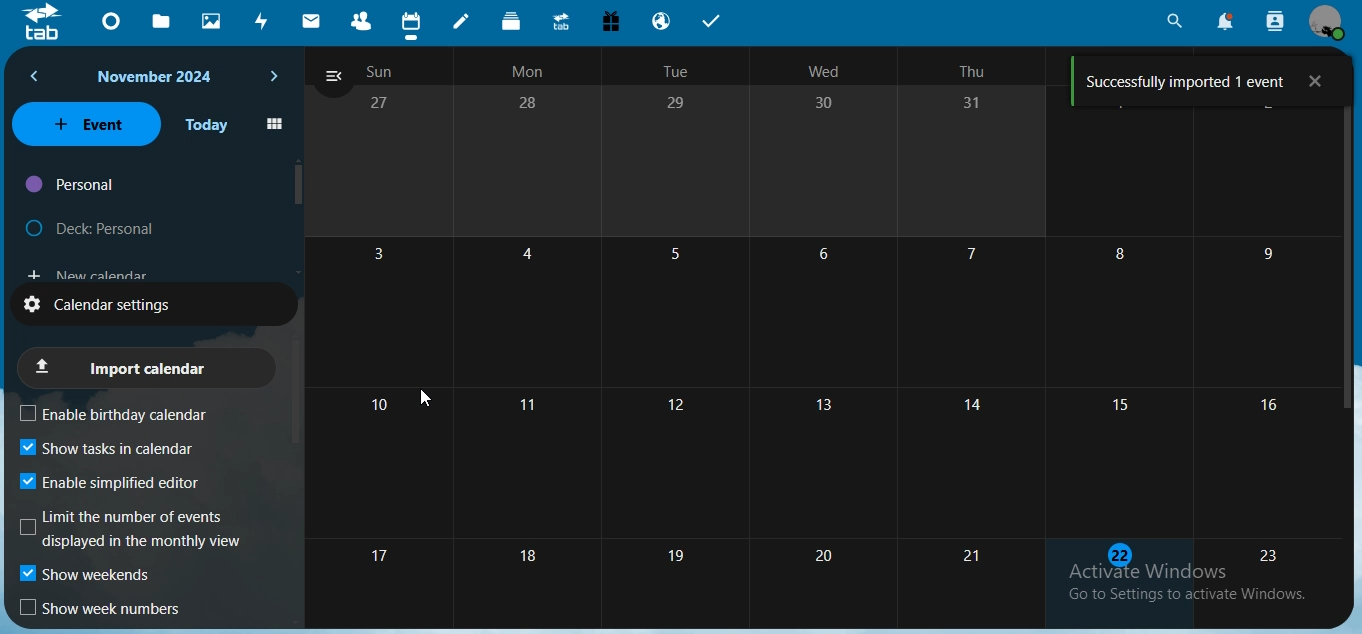 Image resolution: width=1362 pixels, height=634 pixels. Describe the element at coordinates (610, 21) in the screenshot. I see `free trial` at that location.